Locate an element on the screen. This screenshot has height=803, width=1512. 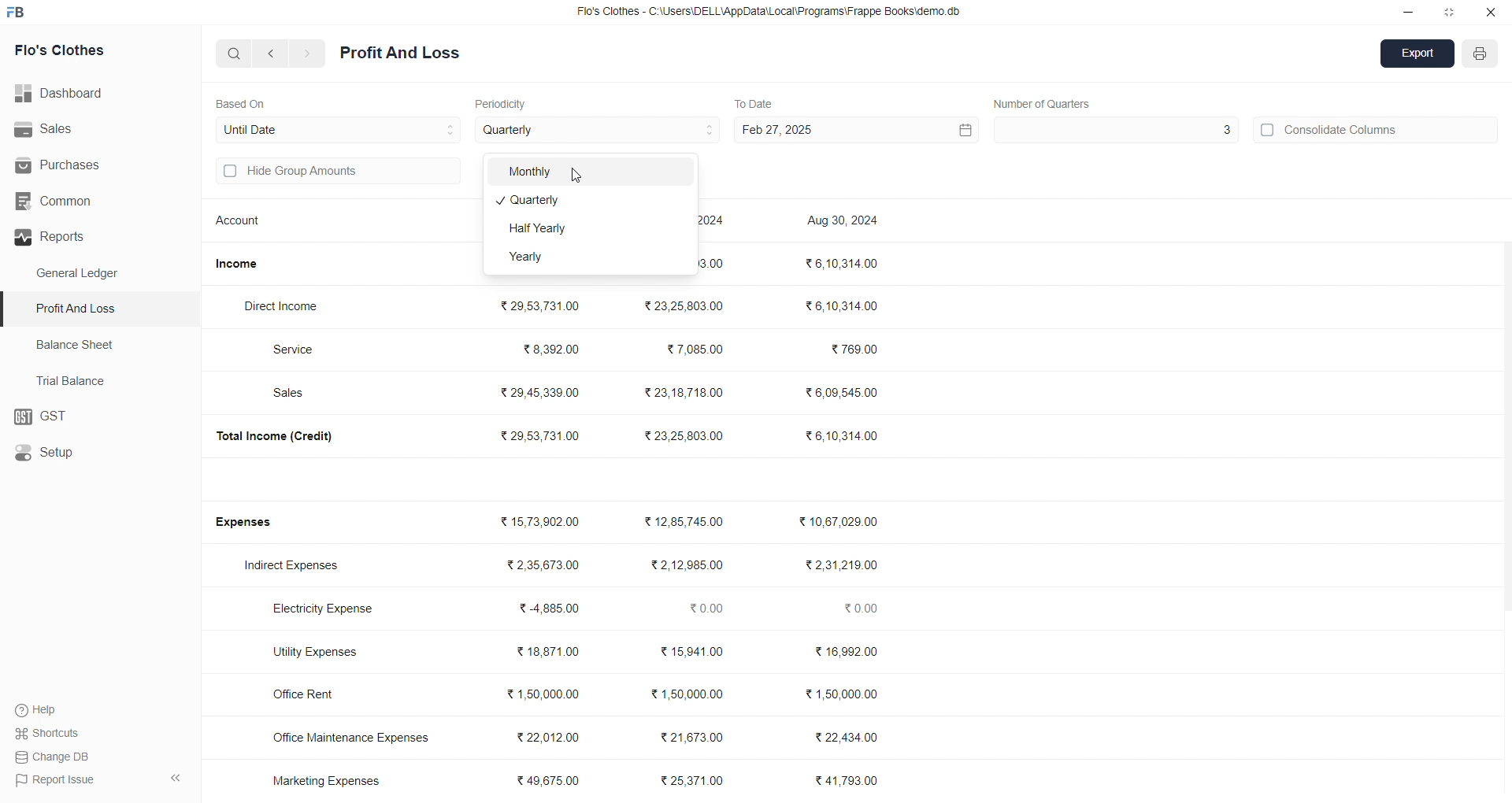
Profit And Loss is located at coordinates (103, 308).